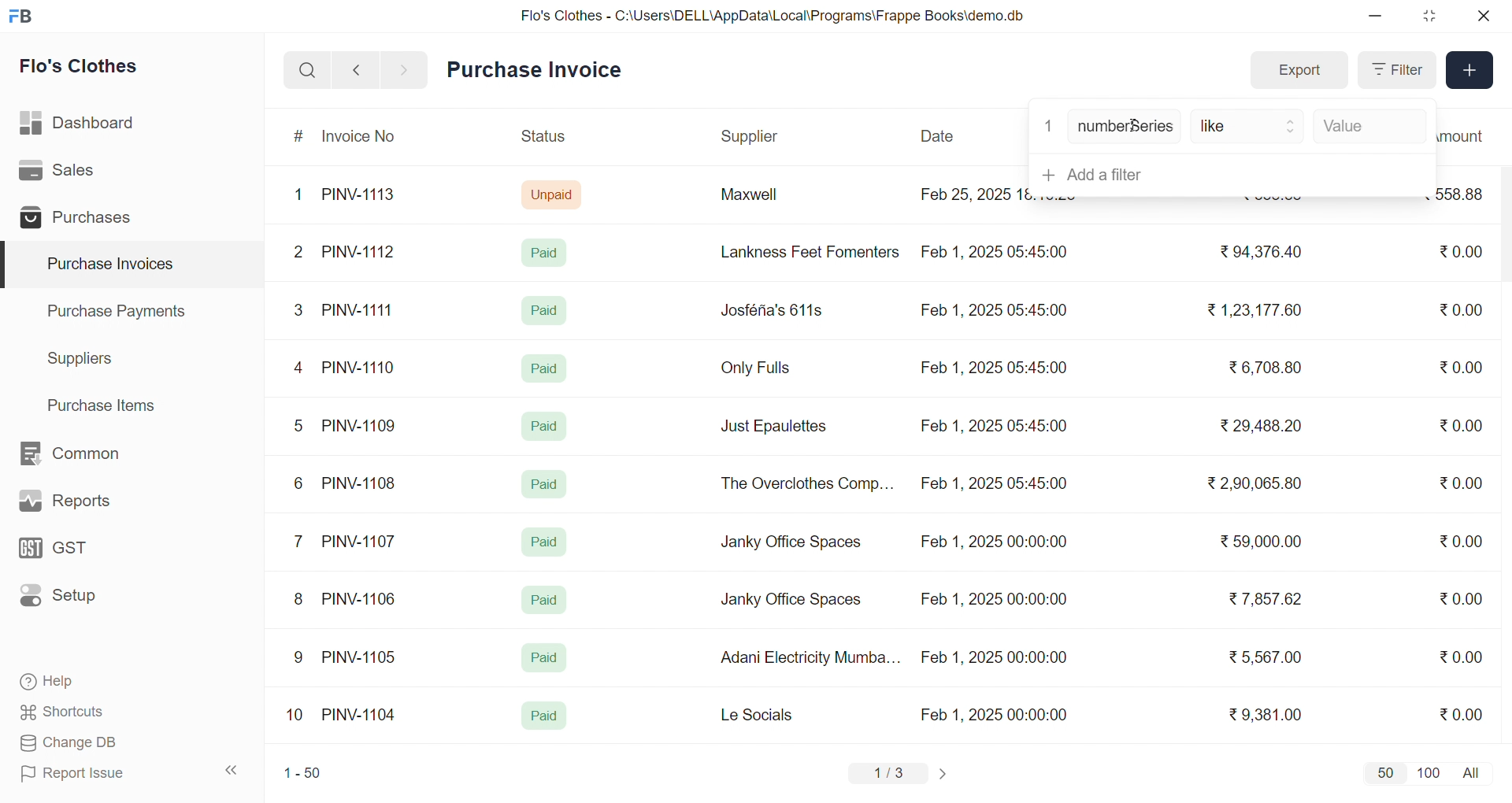  Describe the element at coordinates (232, 771) in the screenshot. I see `collapse sidebar` at that location.